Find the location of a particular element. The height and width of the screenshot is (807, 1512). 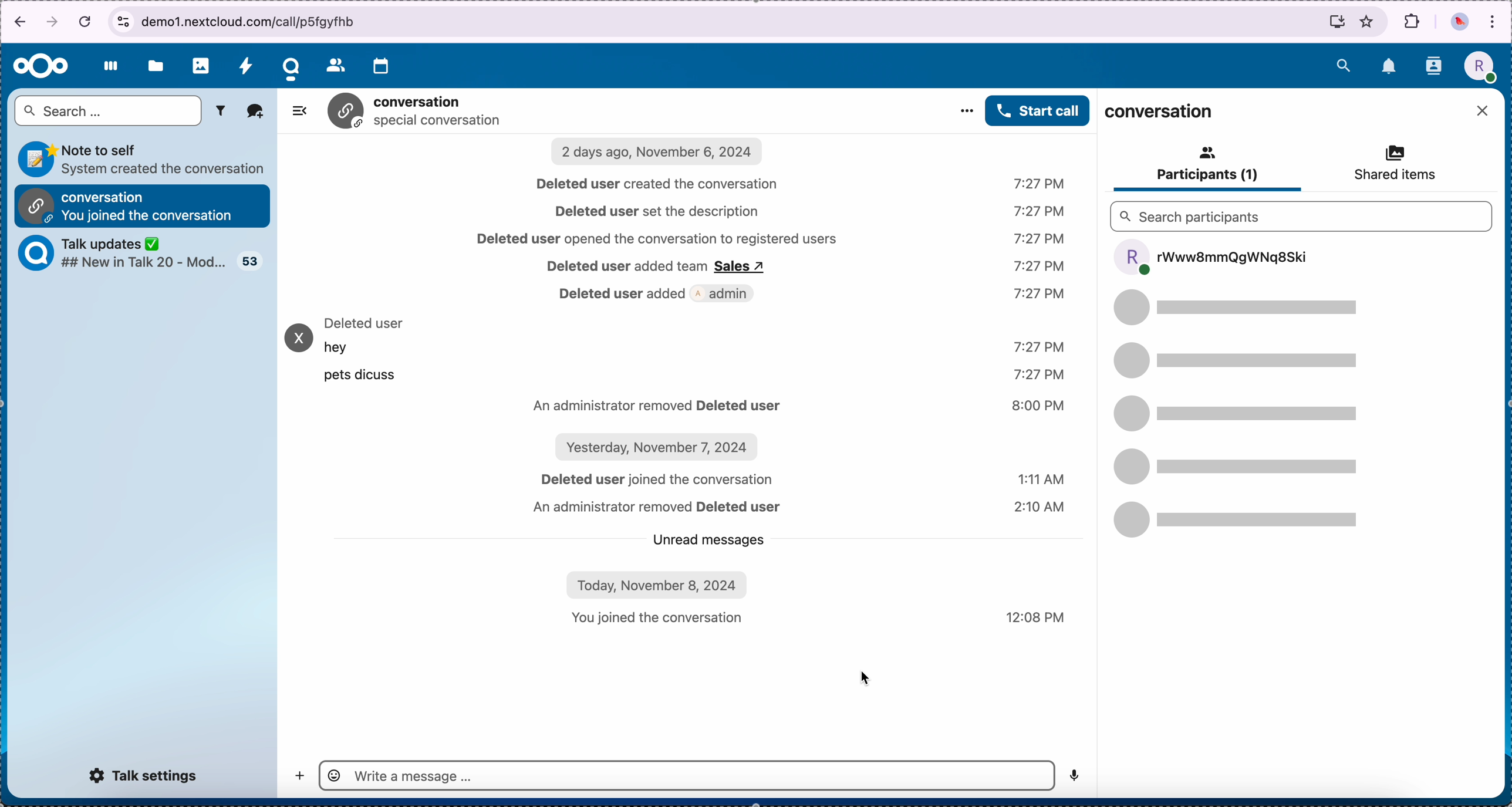

profile picture is located at coordinates (1459, 22).